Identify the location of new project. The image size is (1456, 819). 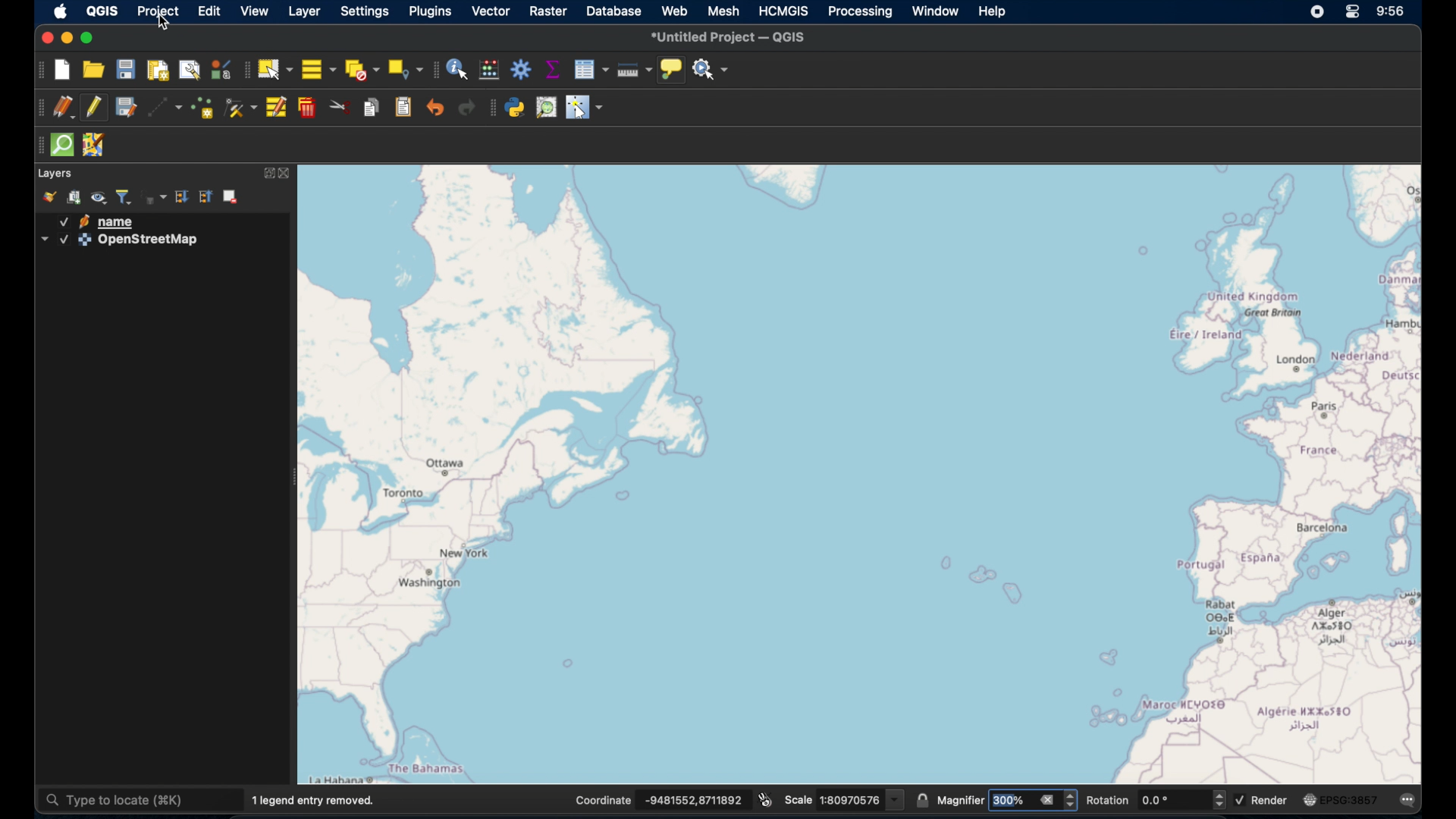
(64, 71).